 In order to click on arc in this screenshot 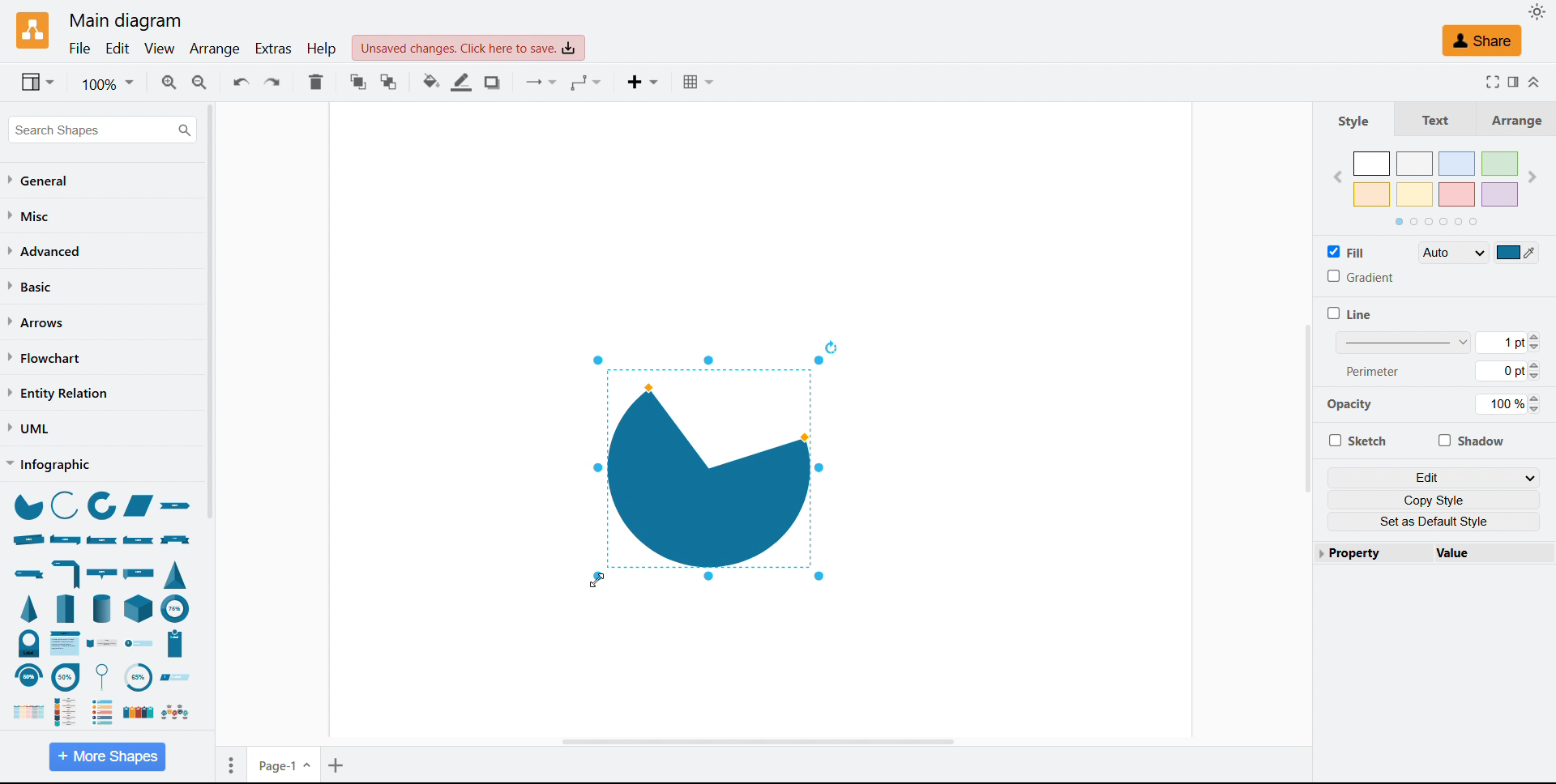, I will do `click(64, 504)`.